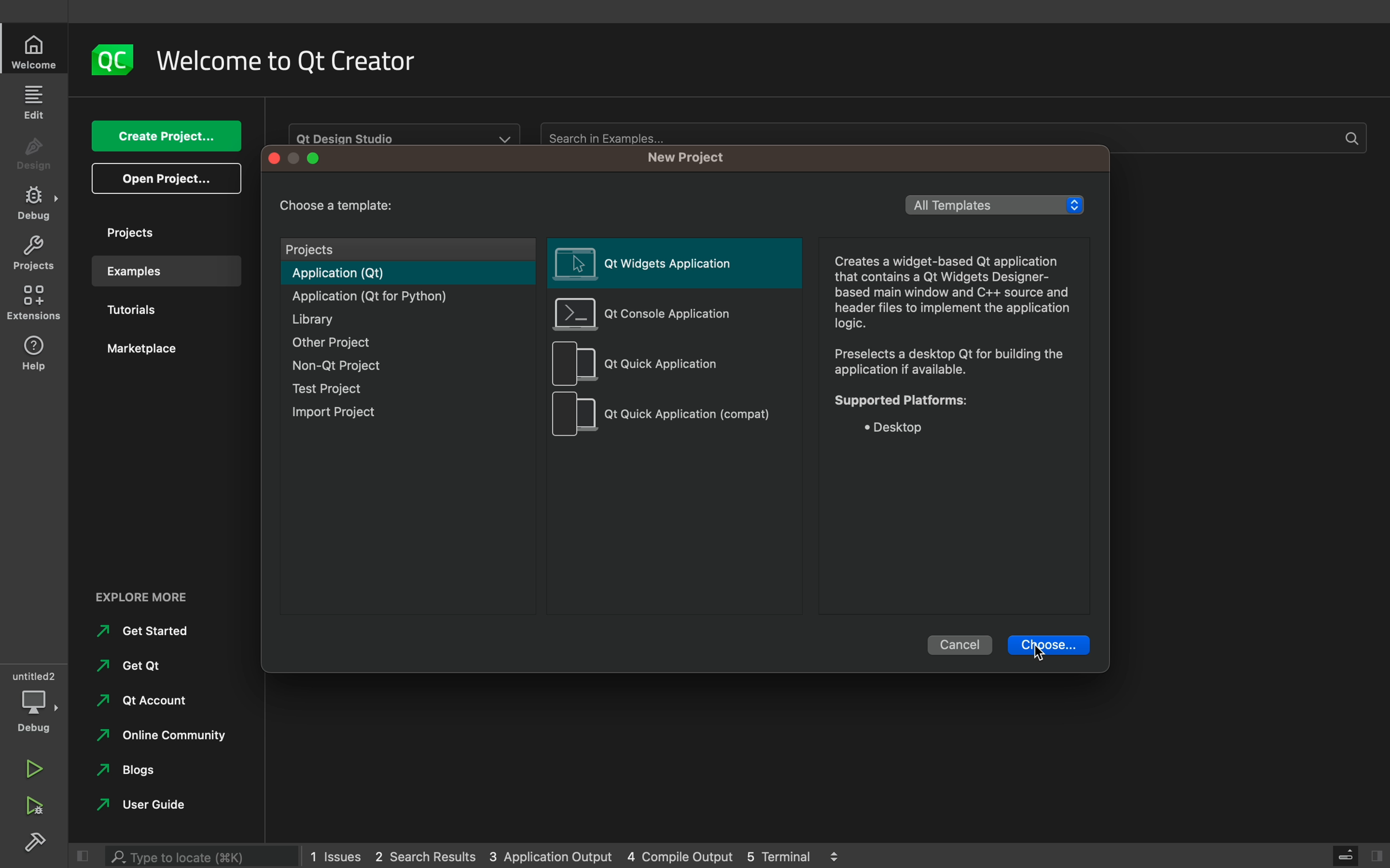  I want to click on increase/decrease arrows, so click(840, 855).